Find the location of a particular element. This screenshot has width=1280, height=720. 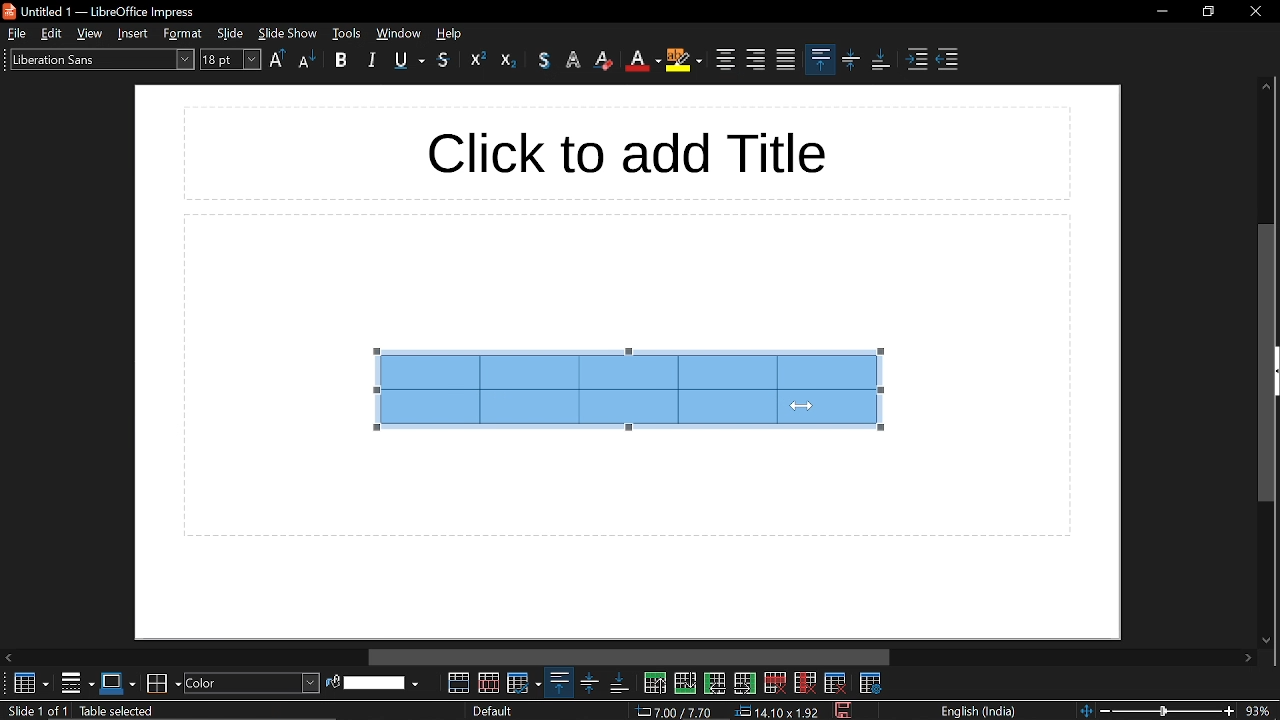

fill color is located at coordinates (383, 683).